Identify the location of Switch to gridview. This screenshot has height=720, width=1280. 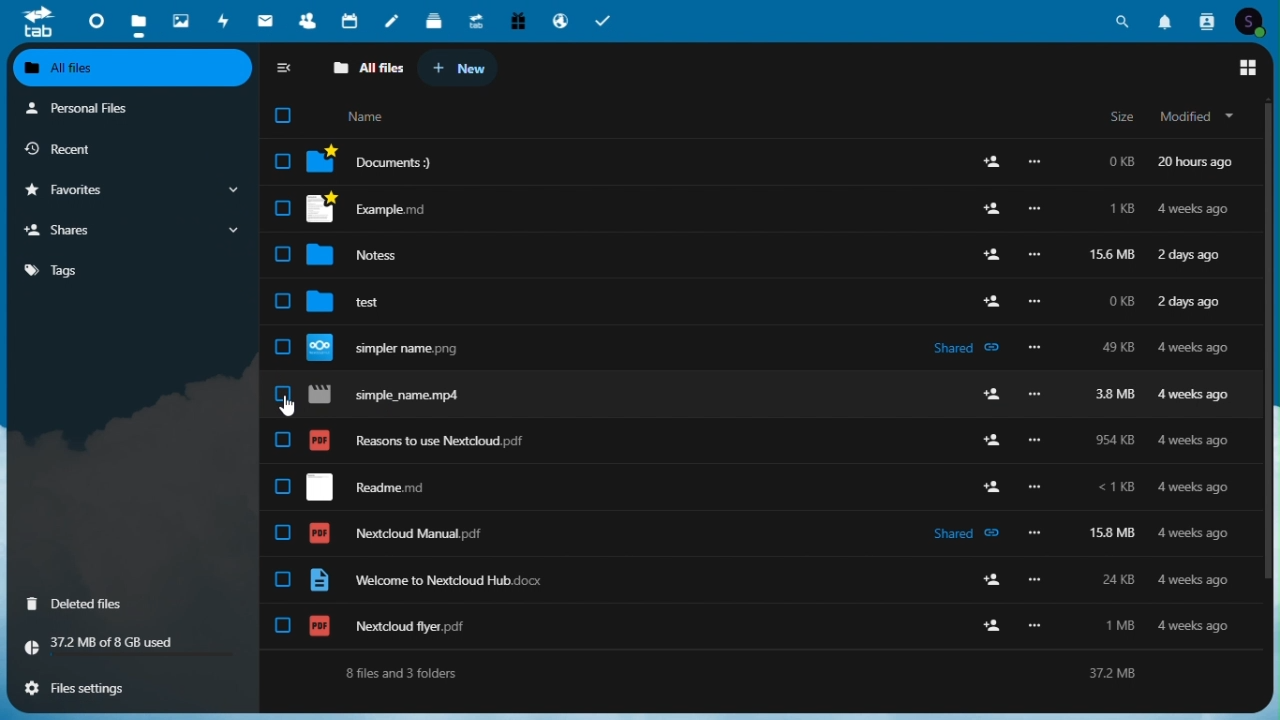
(1246, 68).